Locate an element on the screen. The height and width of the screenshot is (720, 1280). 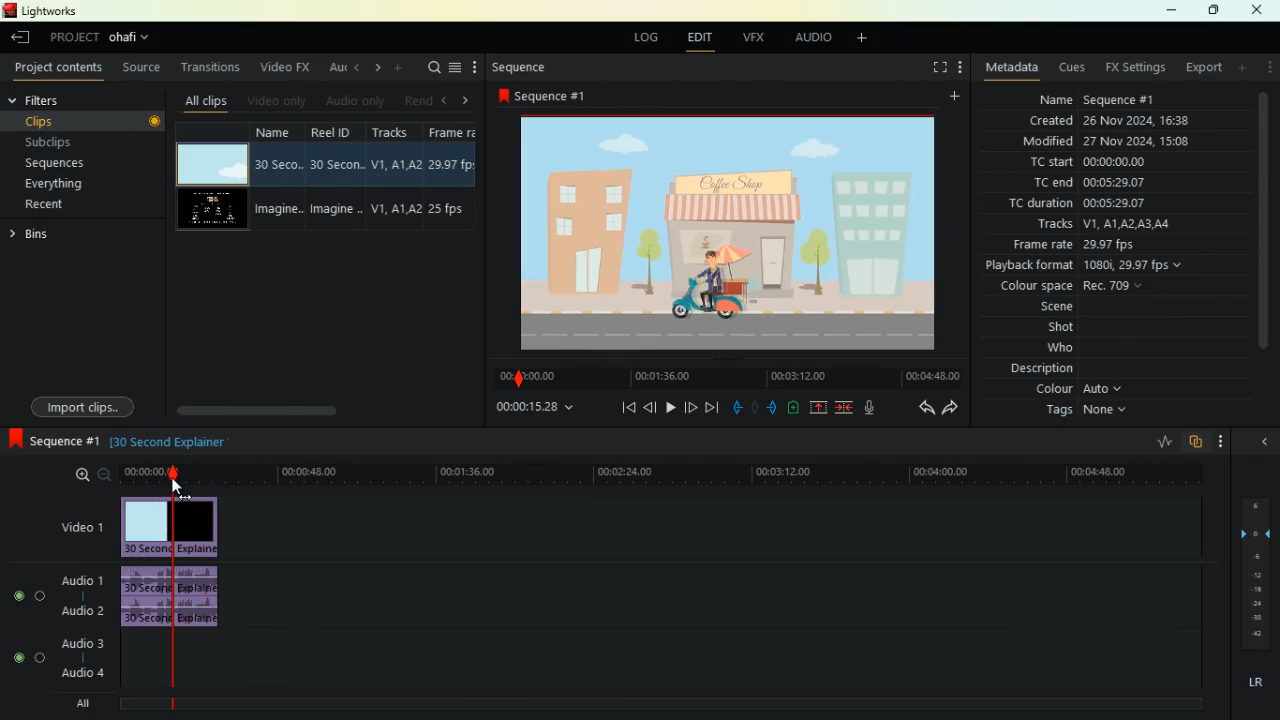
vfx is located at coordinates (750, 38).